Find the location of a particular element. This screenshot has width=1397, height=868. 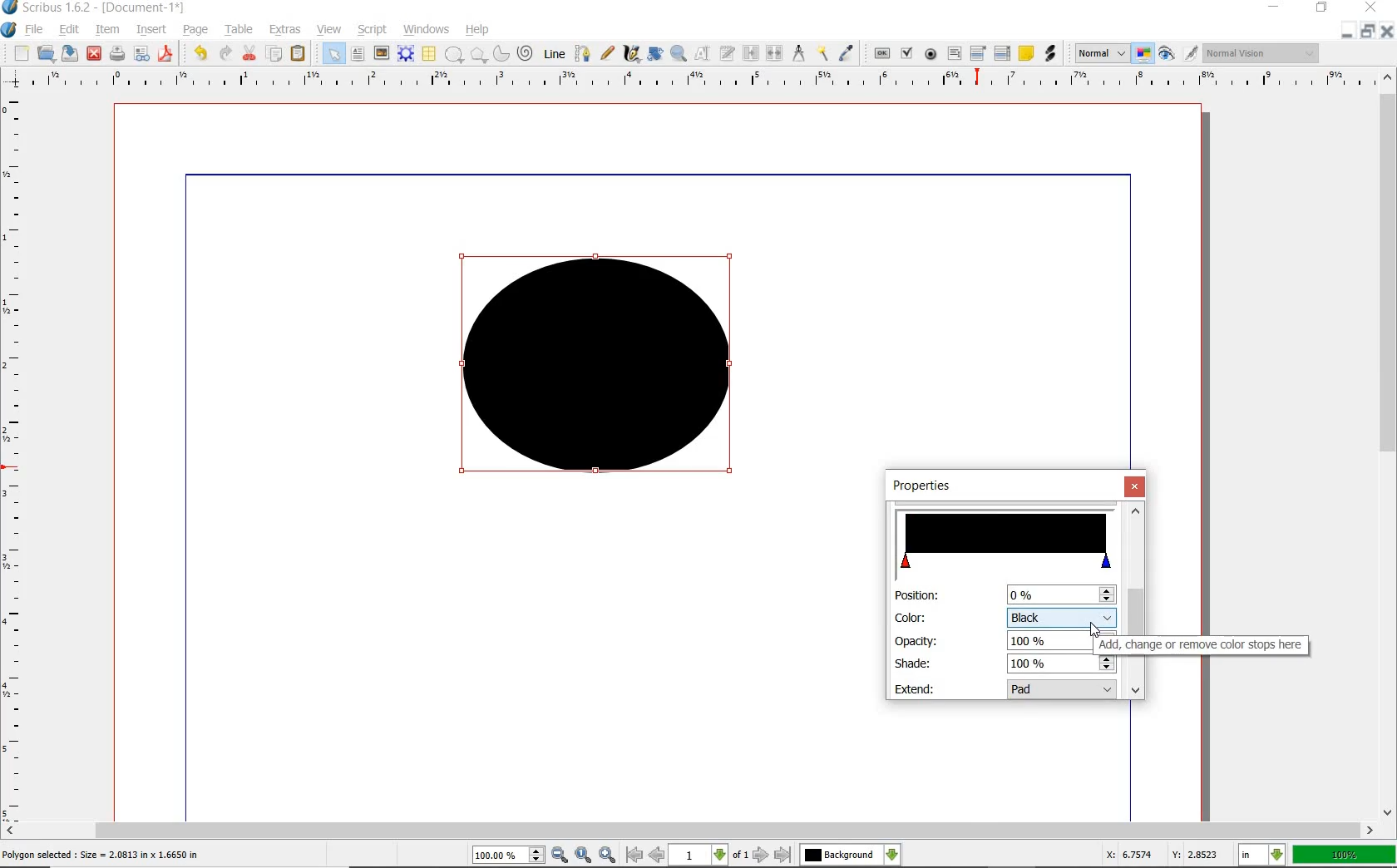

select the current layer is located at coordinates (892, 855).